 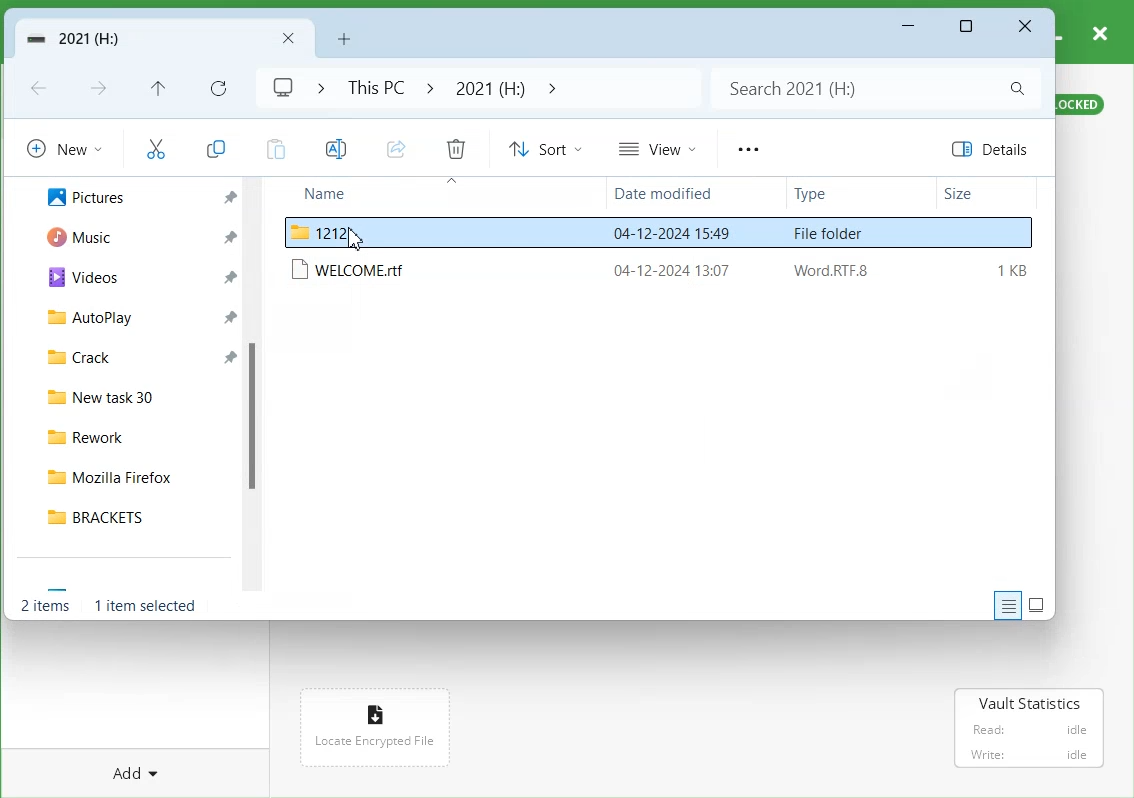 What do you see at coordinates (1037, 605) in the screenshot?
I see `Display item by using large thumbnail` at bounding box center [1037, 605].